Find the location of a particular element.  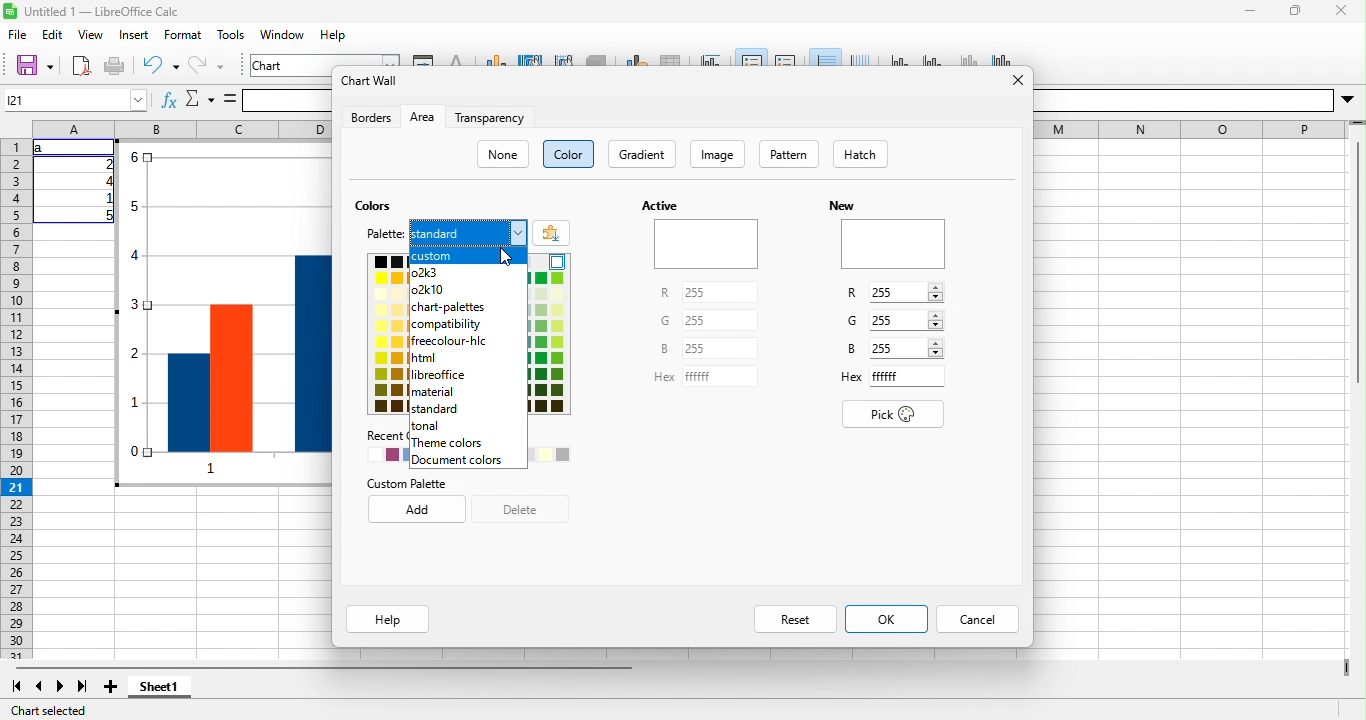

B is located at coordinates (852, 348).